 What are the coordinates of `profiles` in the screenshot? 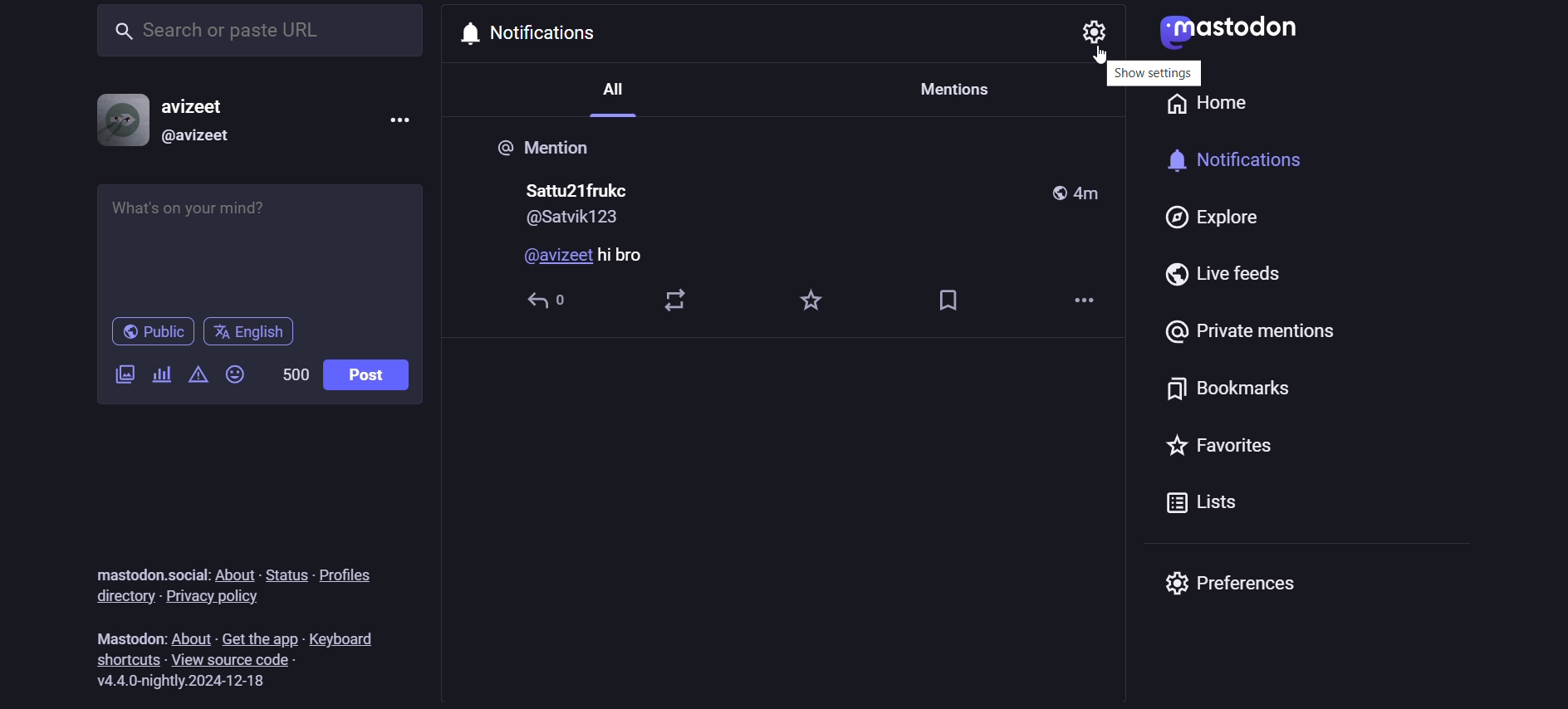 It's located at (350, 576).